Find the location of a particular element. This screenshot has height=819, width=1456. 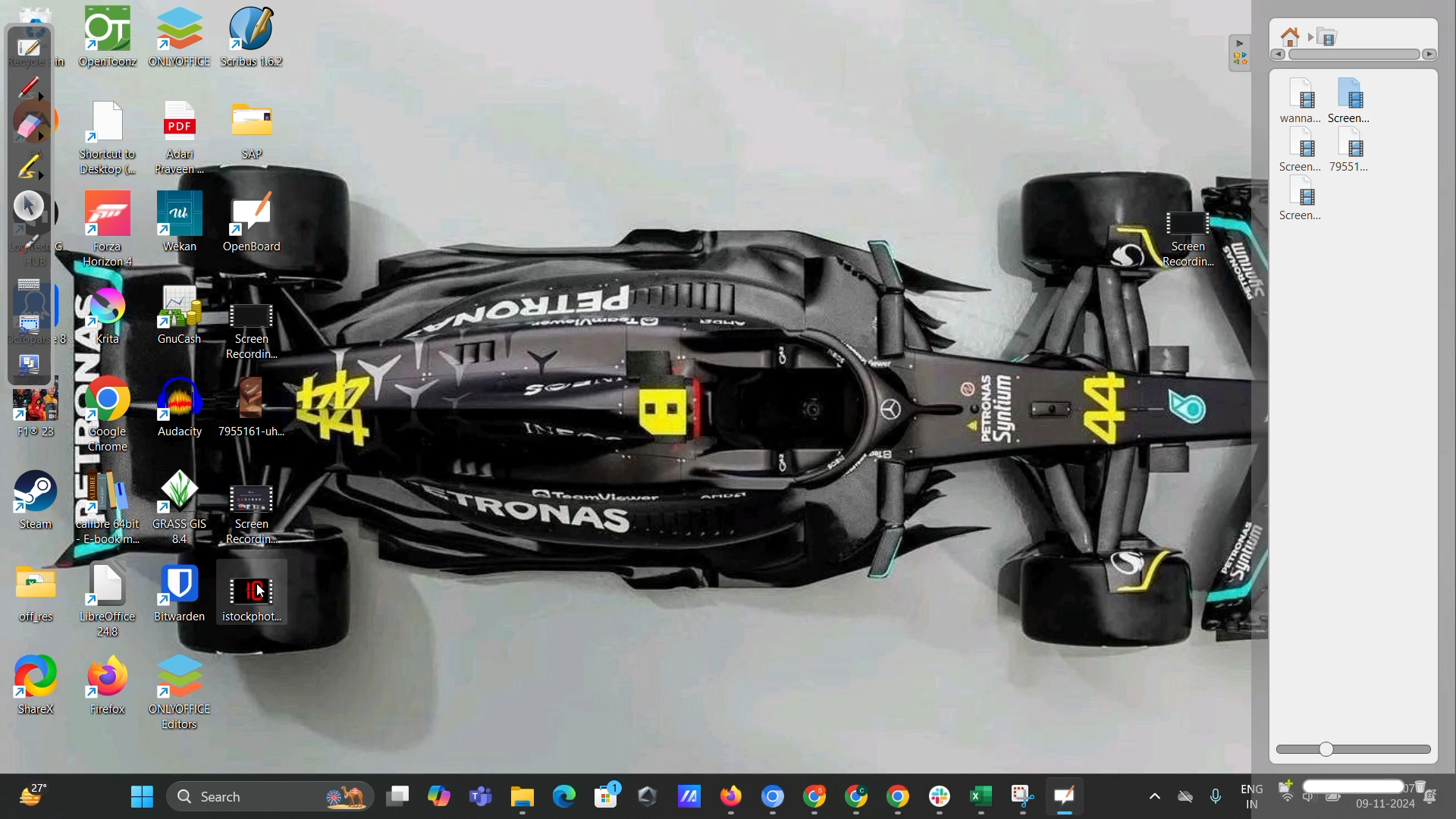

Firefox is located at coordinates (111, 686).